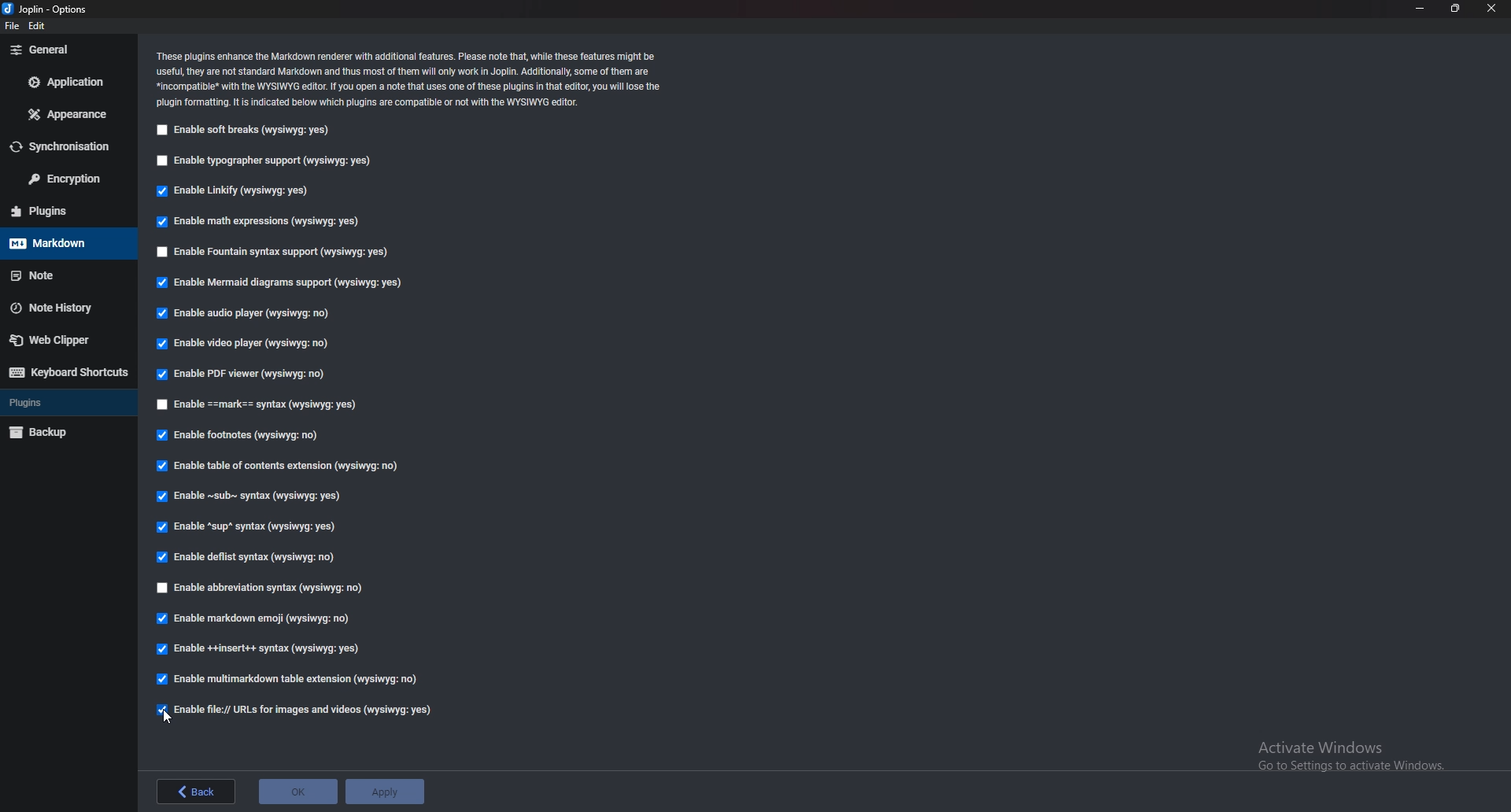 The width and height of the screenshot is (1511, 812). What do you see at coordinates (252, 500) in the screenshot?
I see `Enable sub syntax` at bounding box center [252, 500].